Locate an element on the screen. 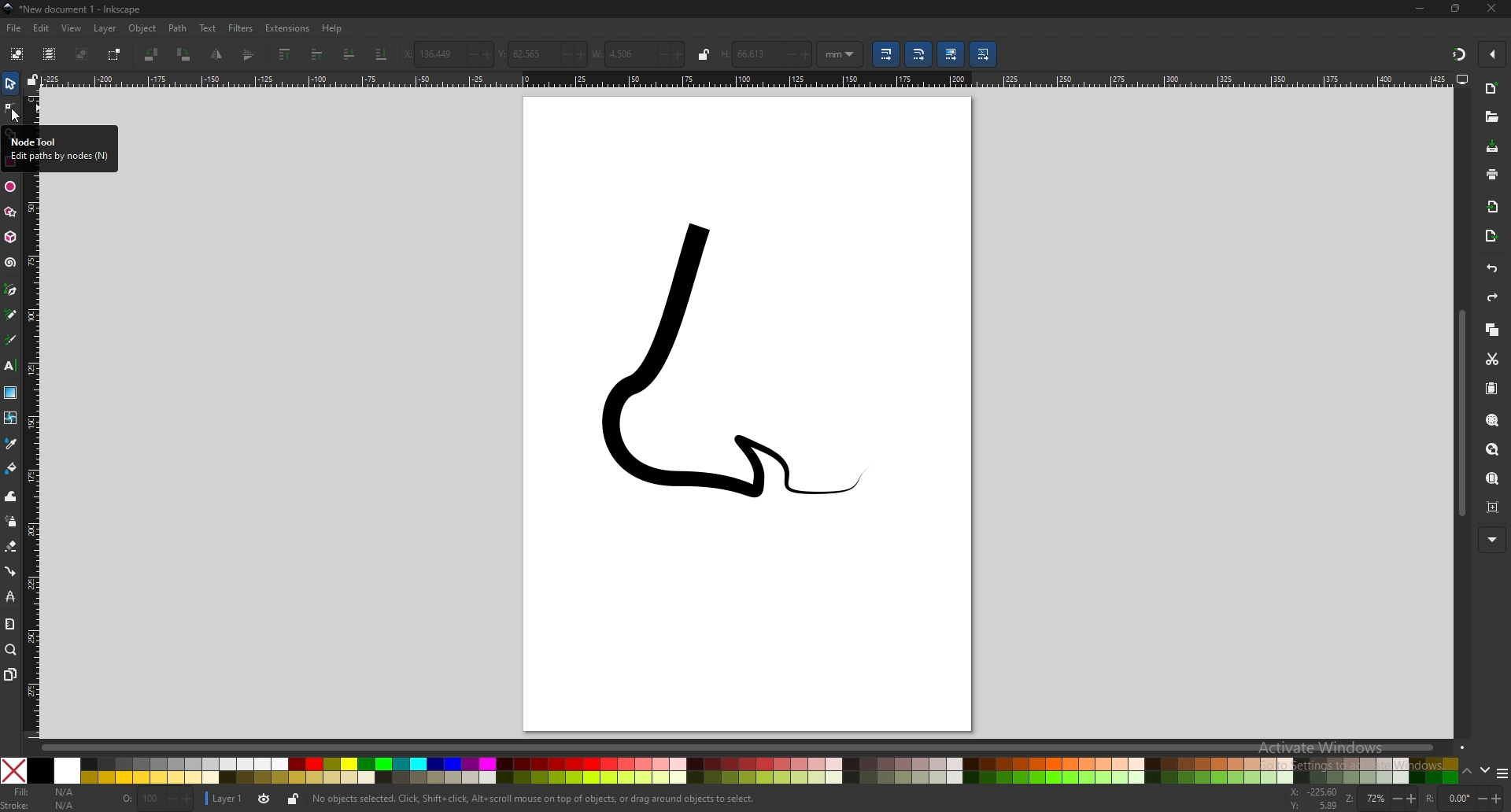  minimize is located at coordinates (1419, 7).